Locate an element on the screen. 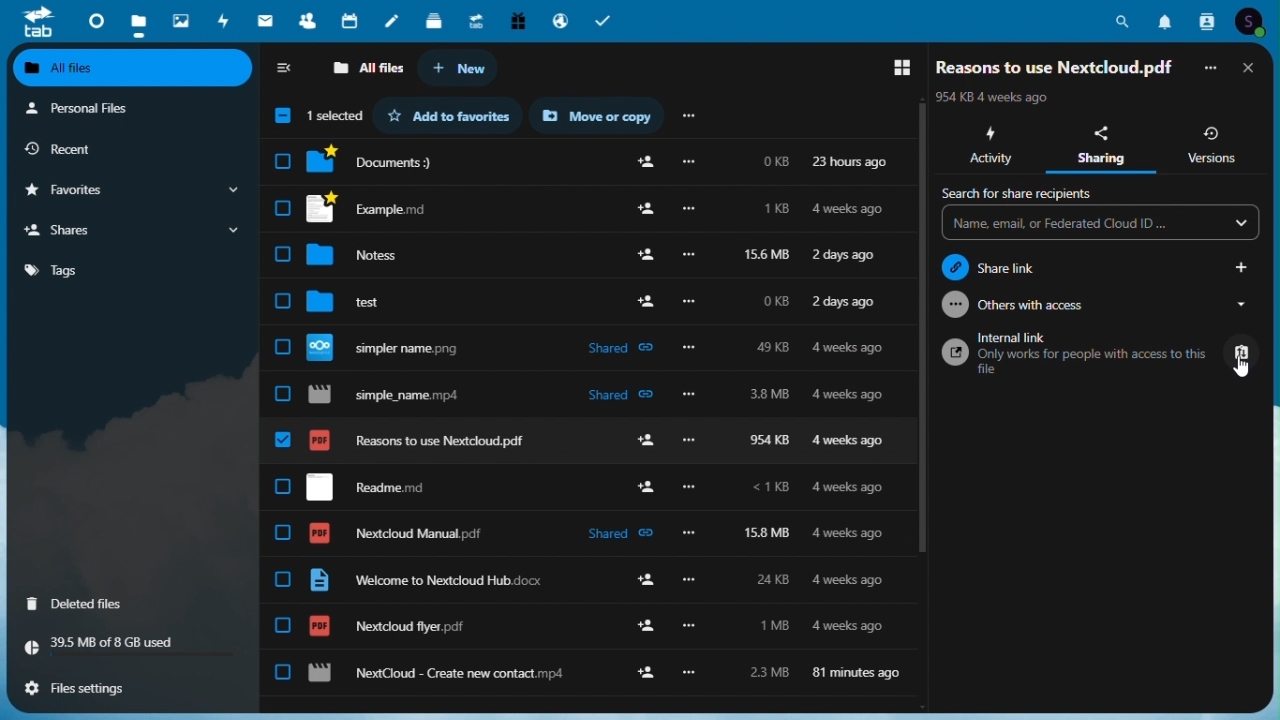 The image size is (1280, 720). check box is located at coordinates (286, 163).